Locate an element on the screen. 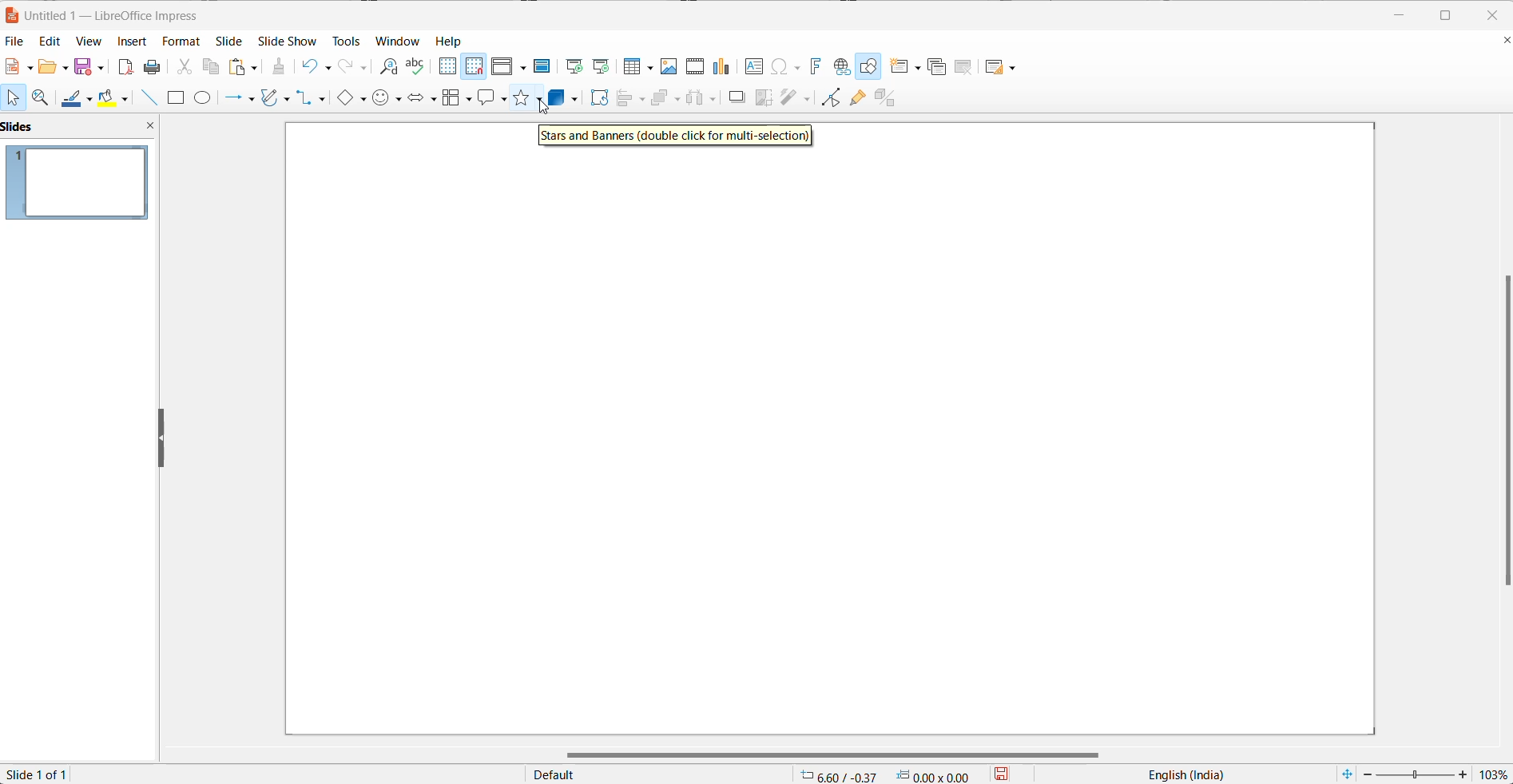 The width and height of the screenshot is (1513, 784). select is located at coordinates (14, 97).